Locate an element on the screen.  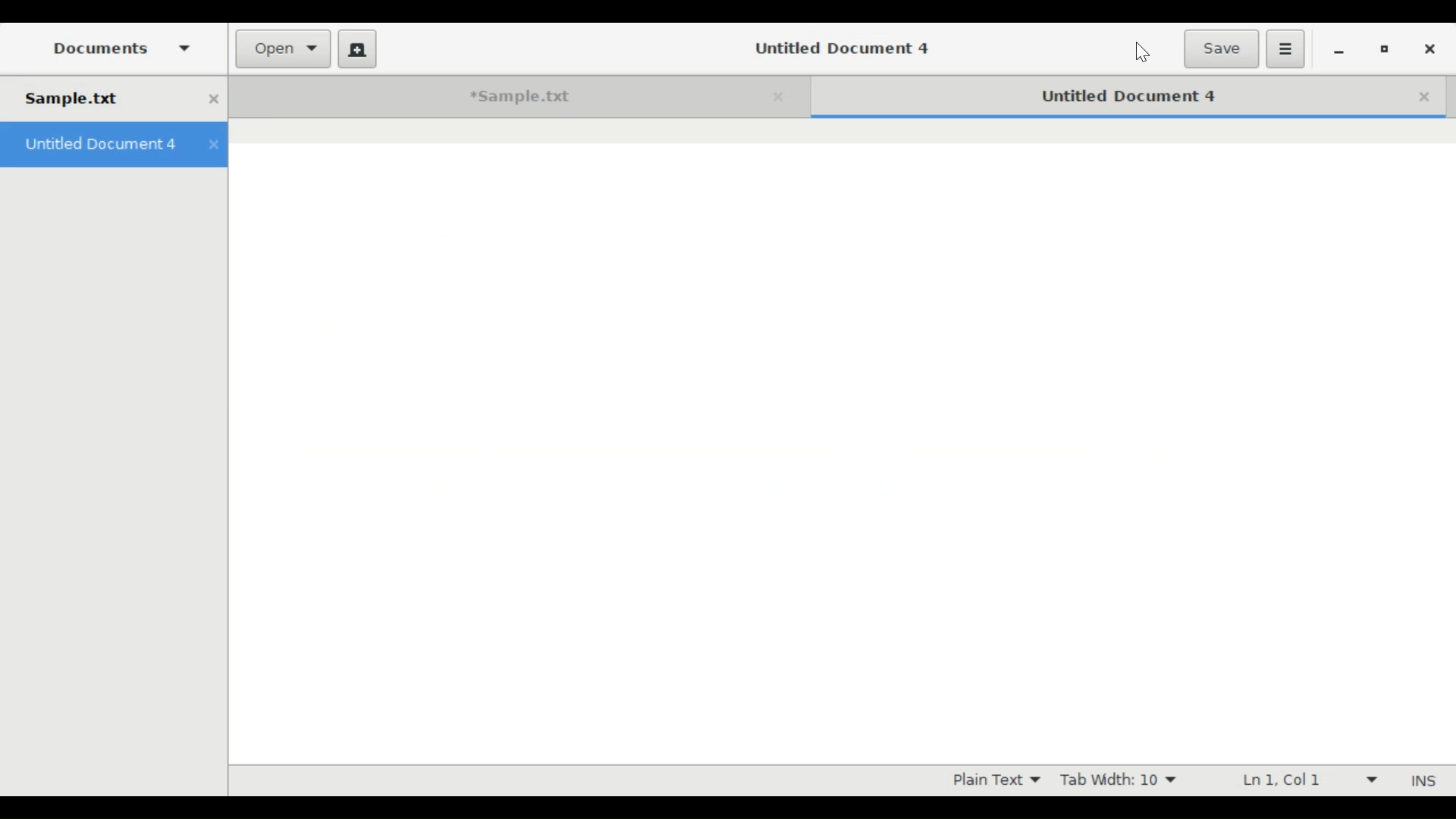
Untitled Document 4 (current tab) is located at coordinates (1108, 95).